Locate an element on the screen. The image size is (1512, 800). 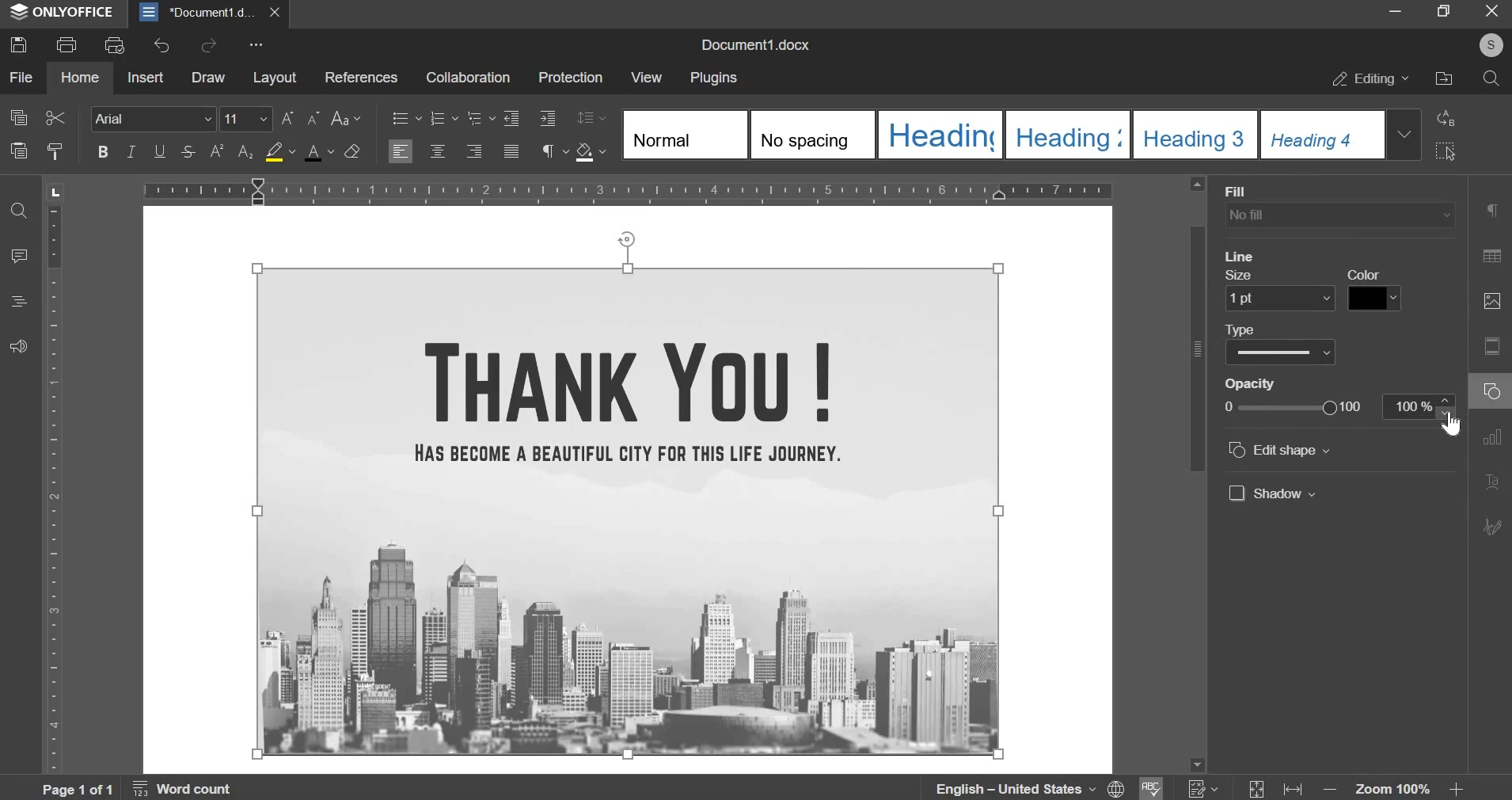
plugins is located at coordinates (713, 78).